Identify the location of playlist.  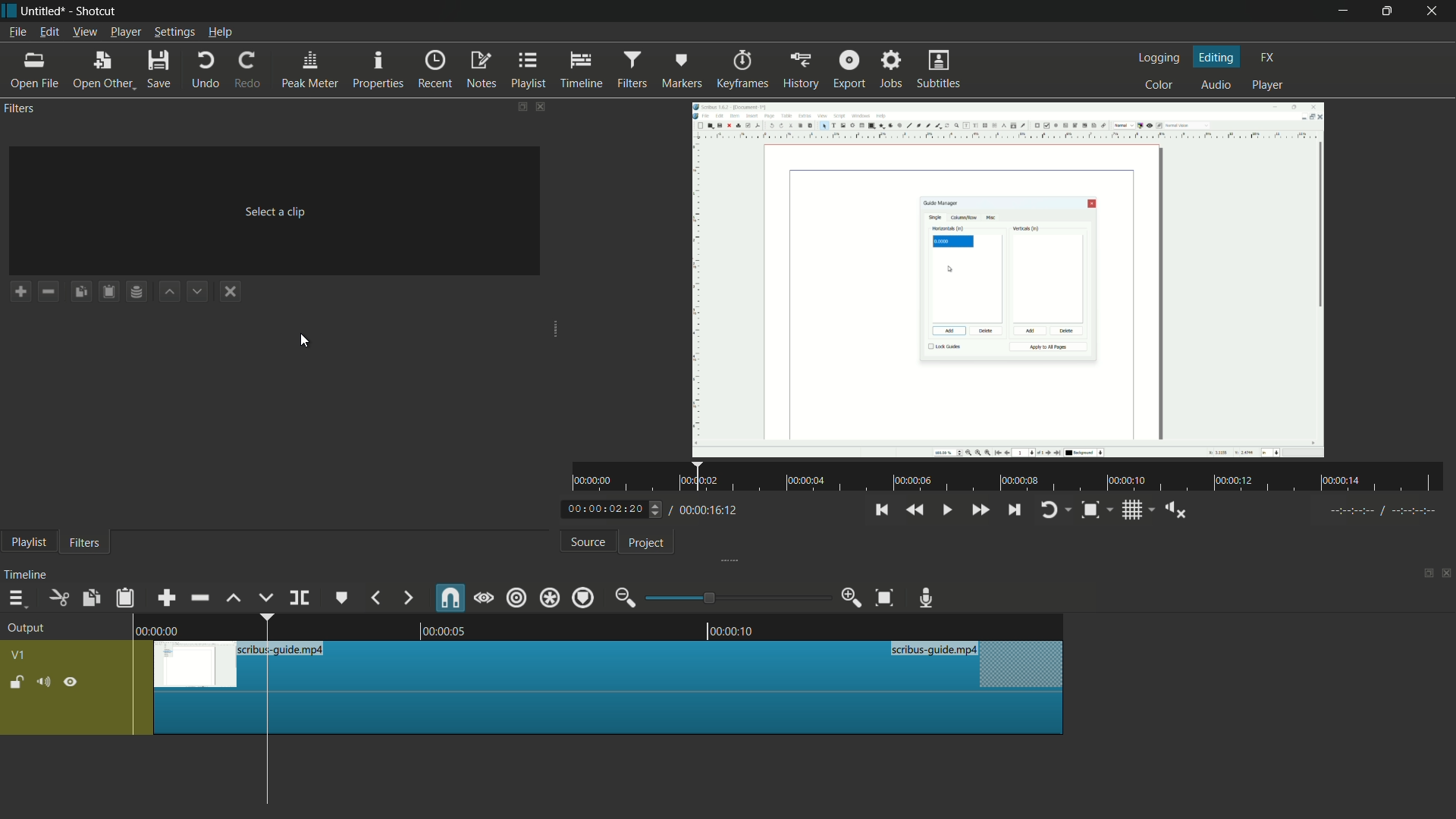
(531, 69).